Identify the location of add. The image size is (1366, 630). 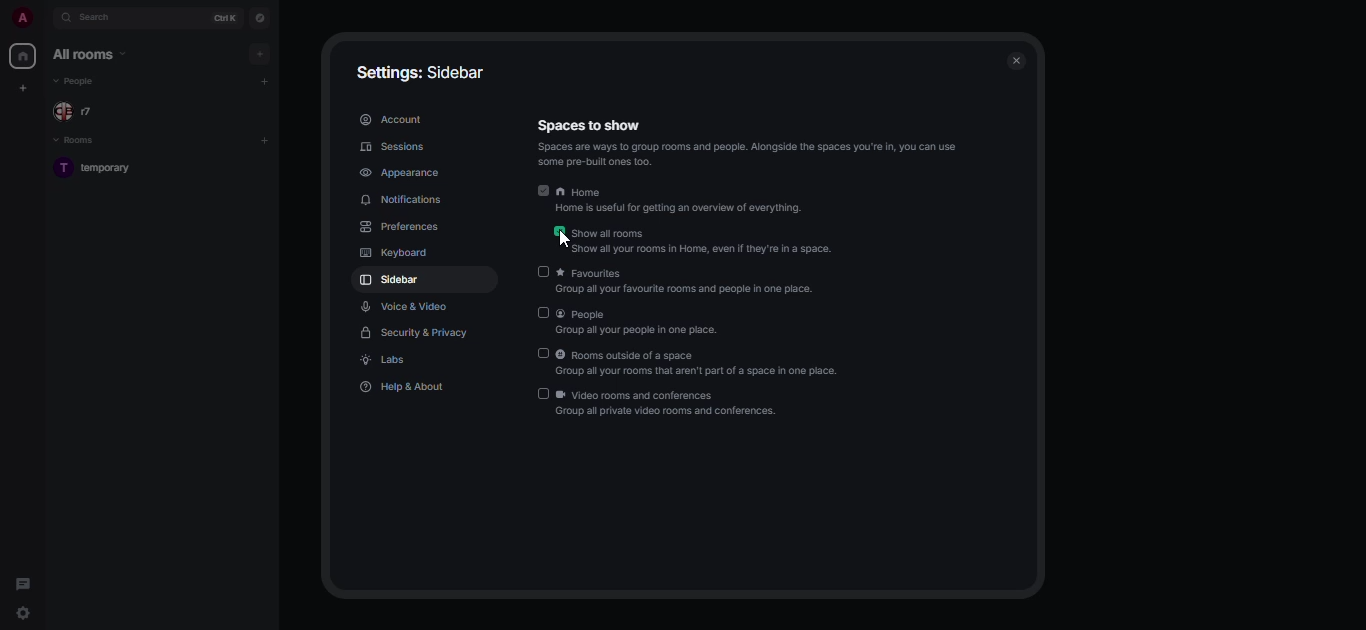
(267, 82).